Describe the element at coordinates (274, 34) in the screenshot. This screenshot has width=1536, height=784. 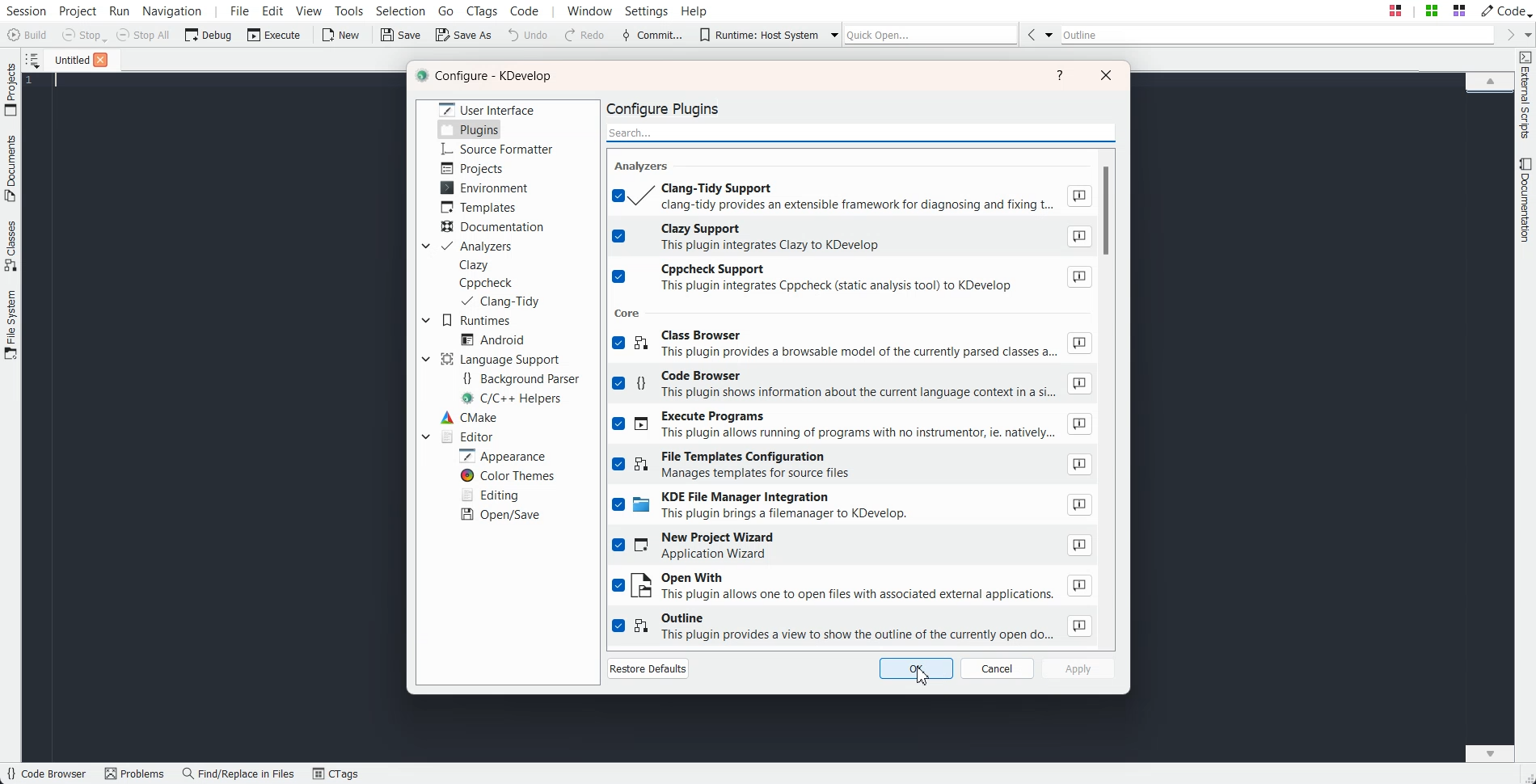
I see `Execute` at that location.